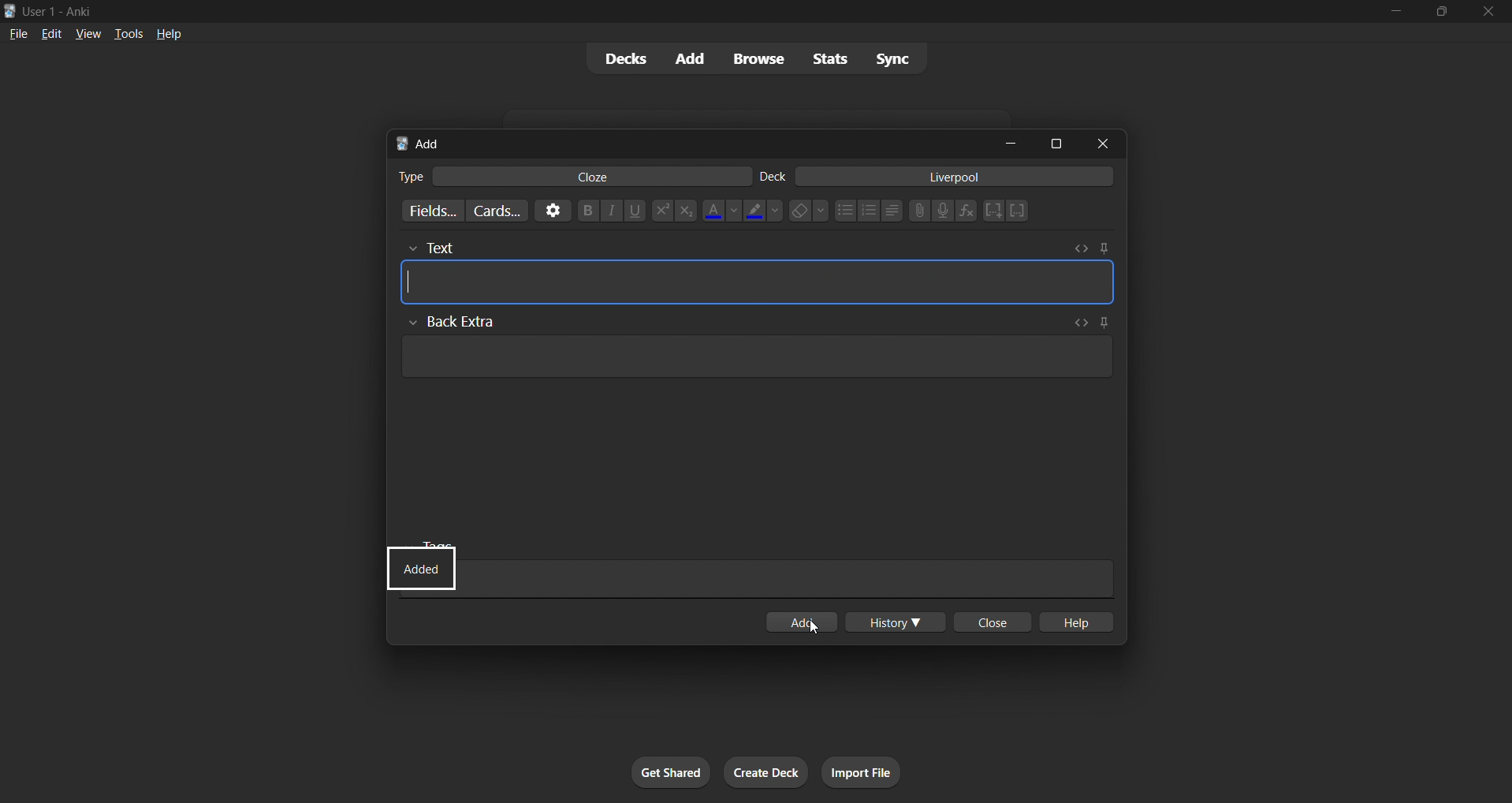  What do you see at coordinates (848, 213) in the screenshot?
I see `unordered list` at bounding box center [848, 213].